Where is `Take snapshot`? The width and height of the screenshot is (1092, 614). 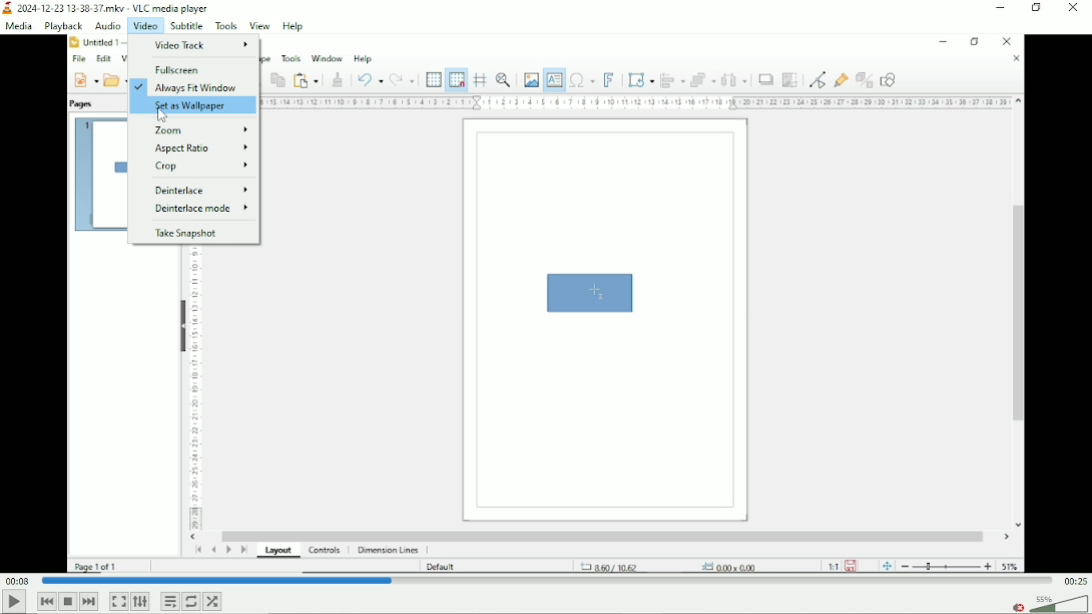 Take snapshot is located at coordinates (187, 233).